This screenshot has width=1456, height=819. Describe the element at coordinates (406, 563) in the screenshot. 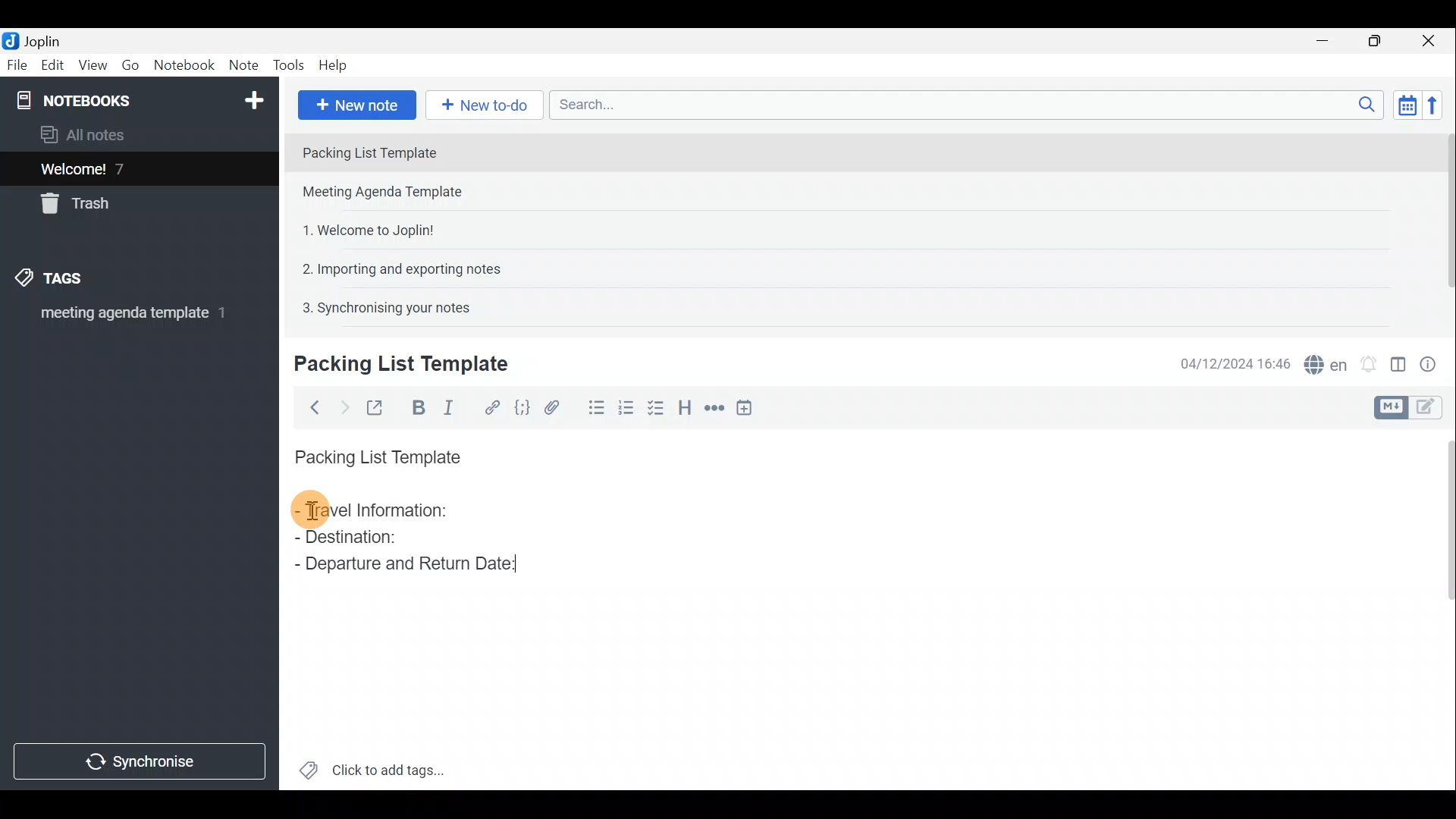

I see `Departure and Return Date:` at that location.